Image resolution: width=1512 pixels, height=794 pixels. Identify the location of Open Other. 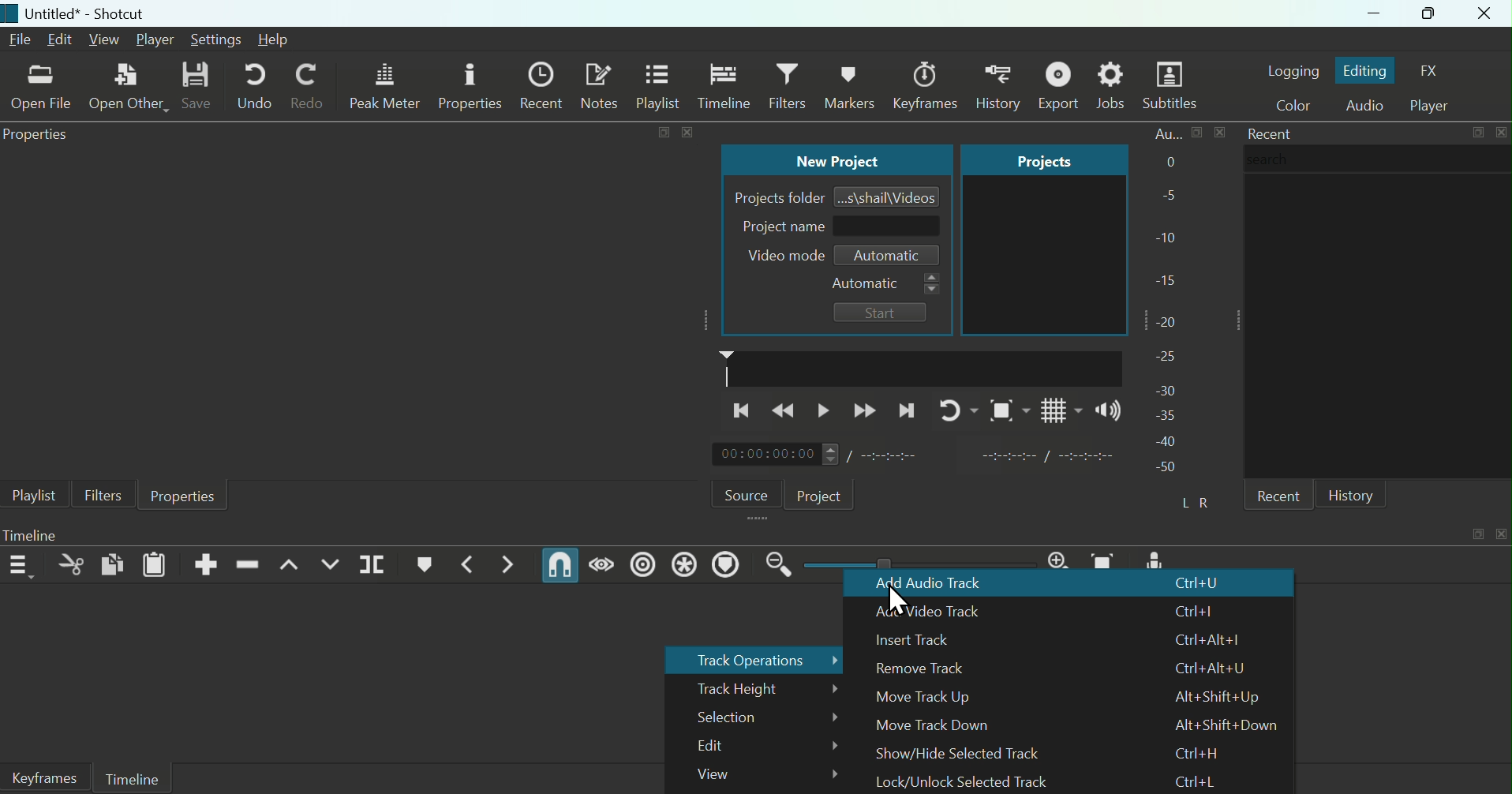
(127, 87).